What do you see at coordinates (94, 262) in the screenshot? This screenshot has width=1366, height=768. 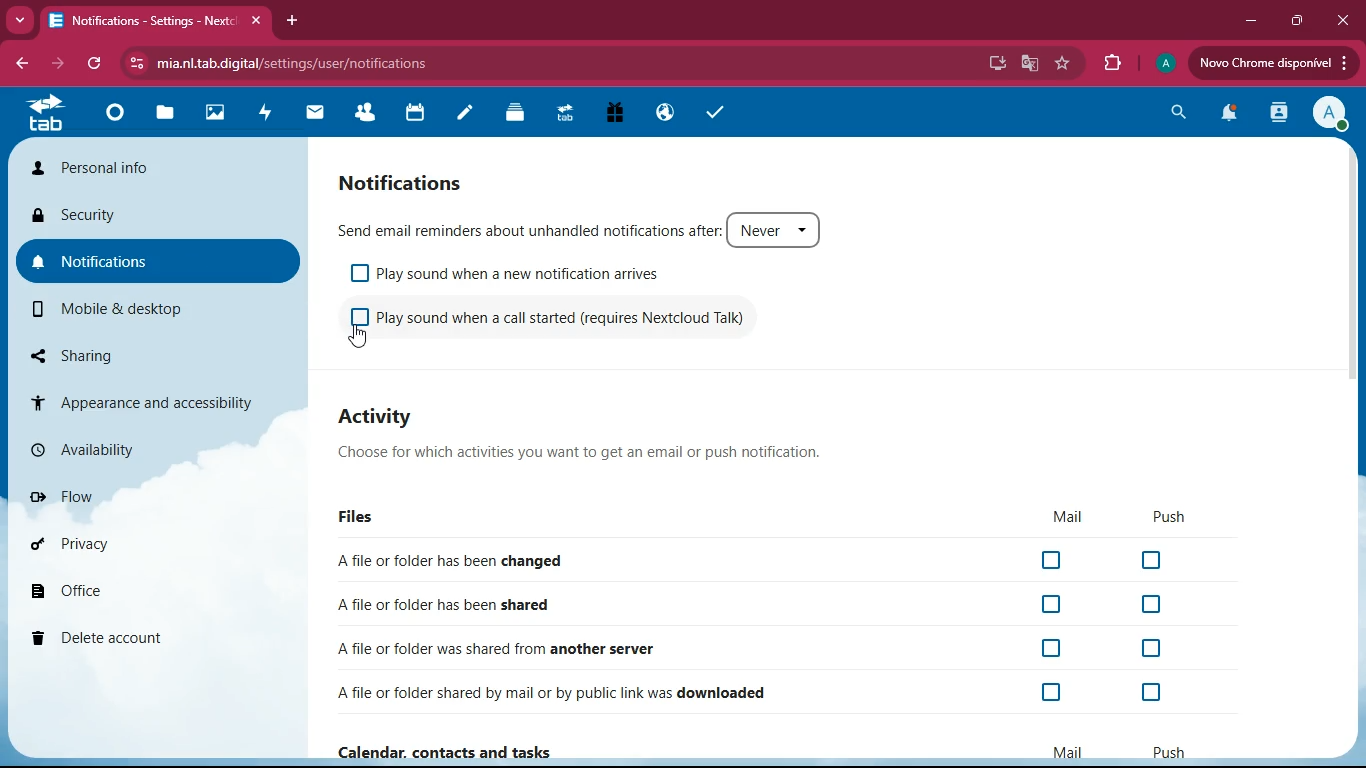 I see `notifications` at bounding box center [94, 262].